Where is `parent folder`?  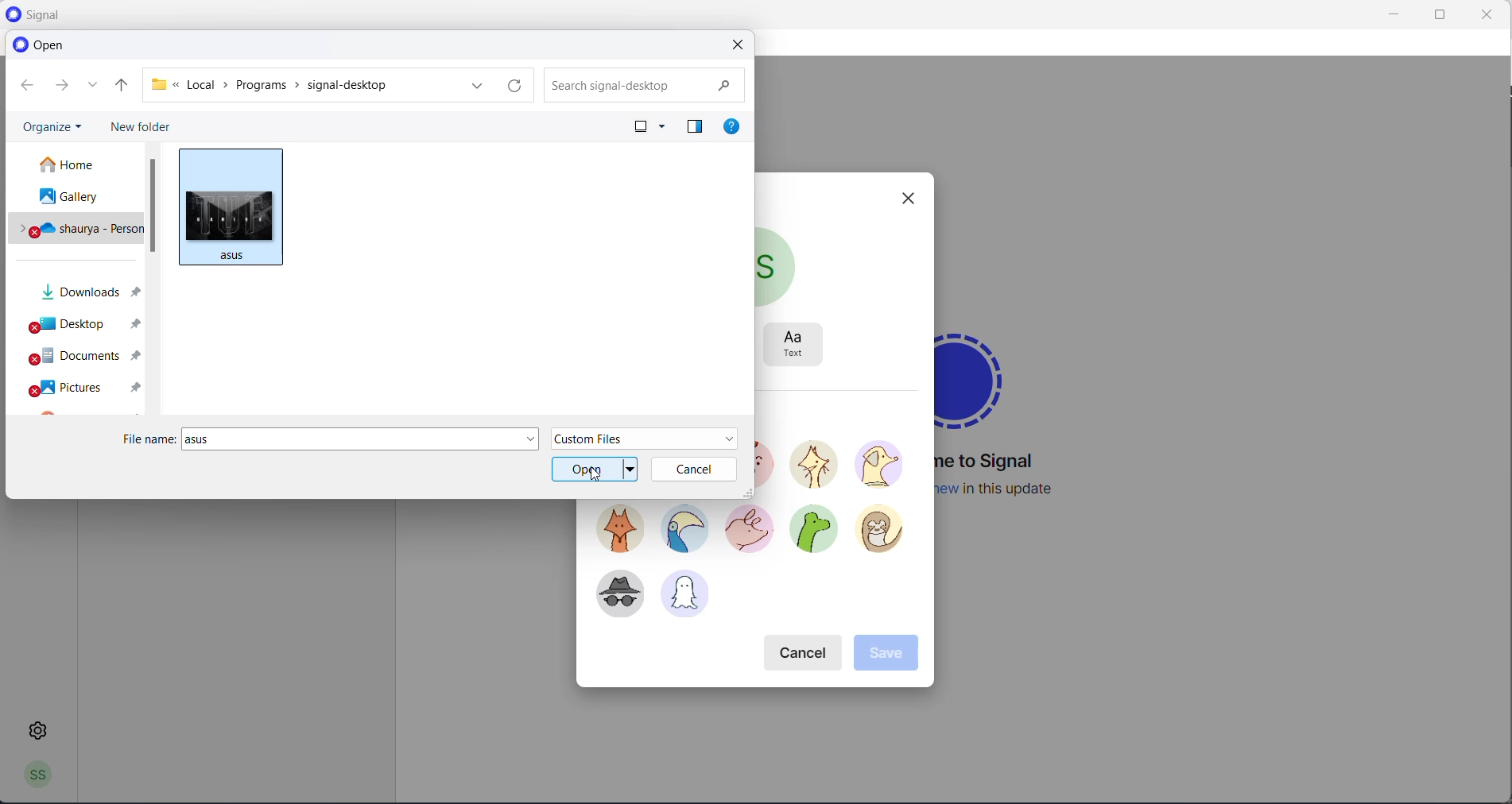
parent folder is located at coordinates (124, 85).